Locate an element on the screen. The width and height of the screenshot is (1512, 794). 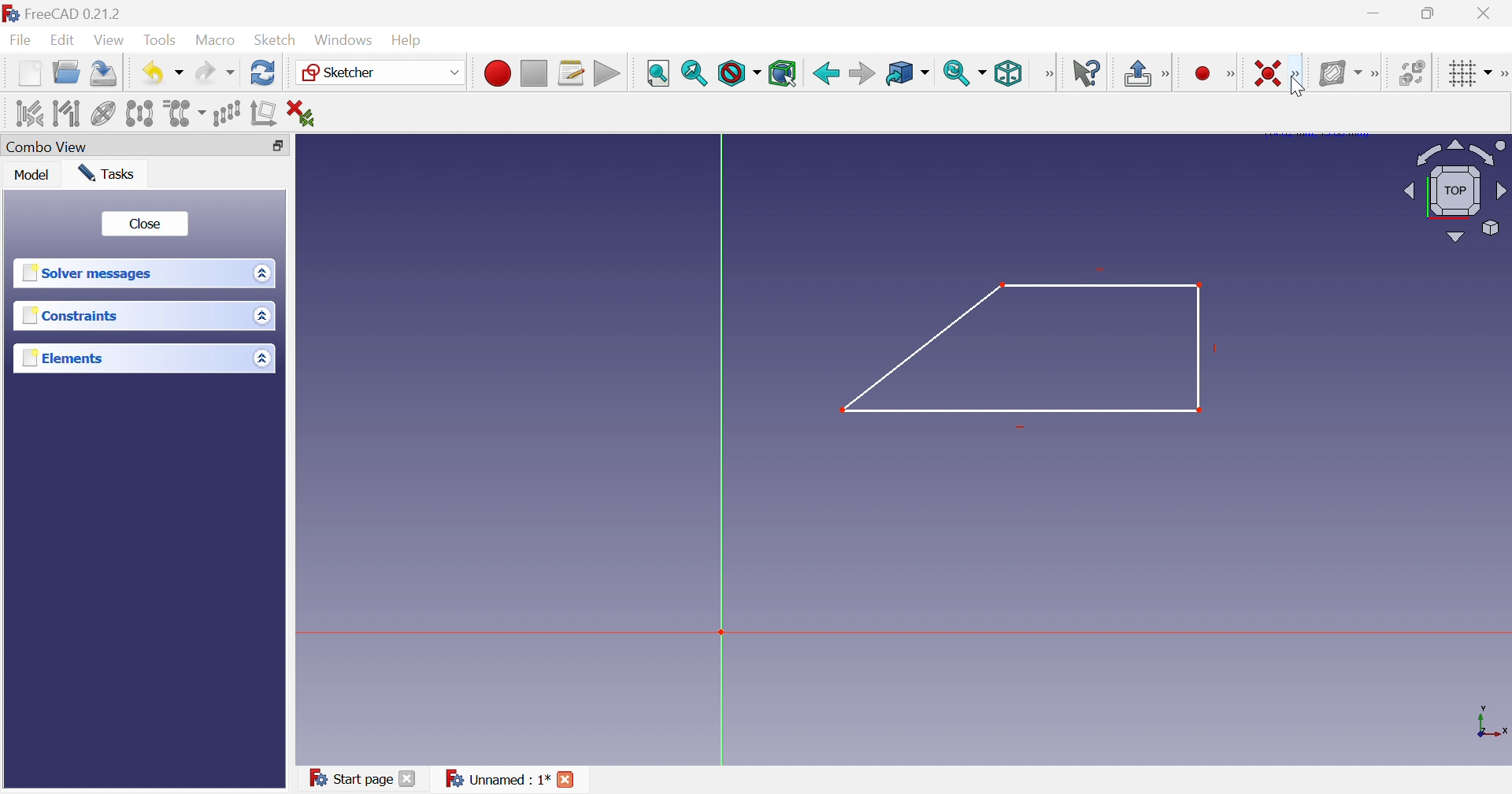
Show virtual space is located at coordinates (1411, 72).